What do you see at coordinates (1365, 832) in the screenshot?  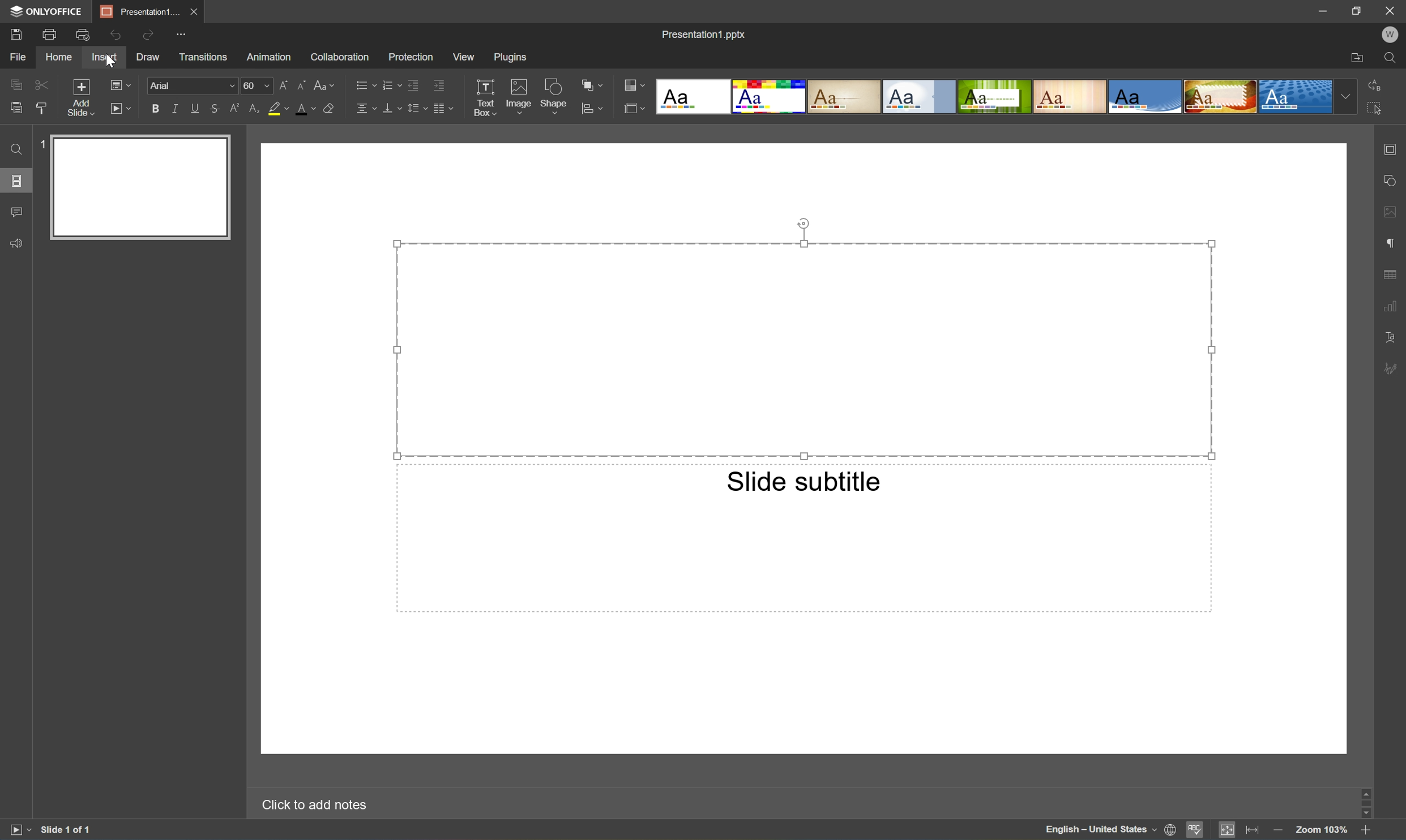 I see `Zoom in` at bounding box center [1365, 832].